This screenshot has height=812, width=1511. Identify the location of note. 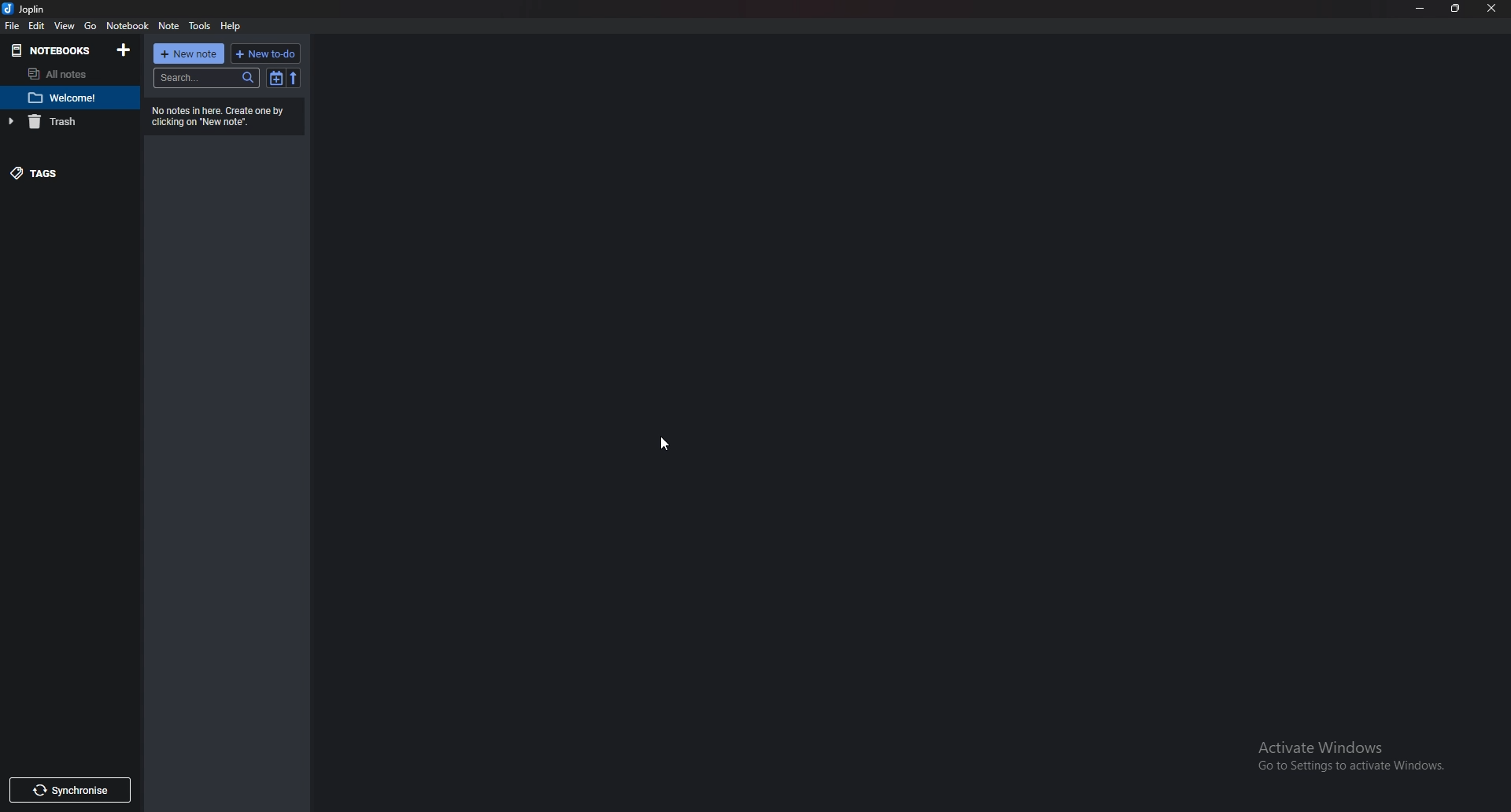
(70, 98).